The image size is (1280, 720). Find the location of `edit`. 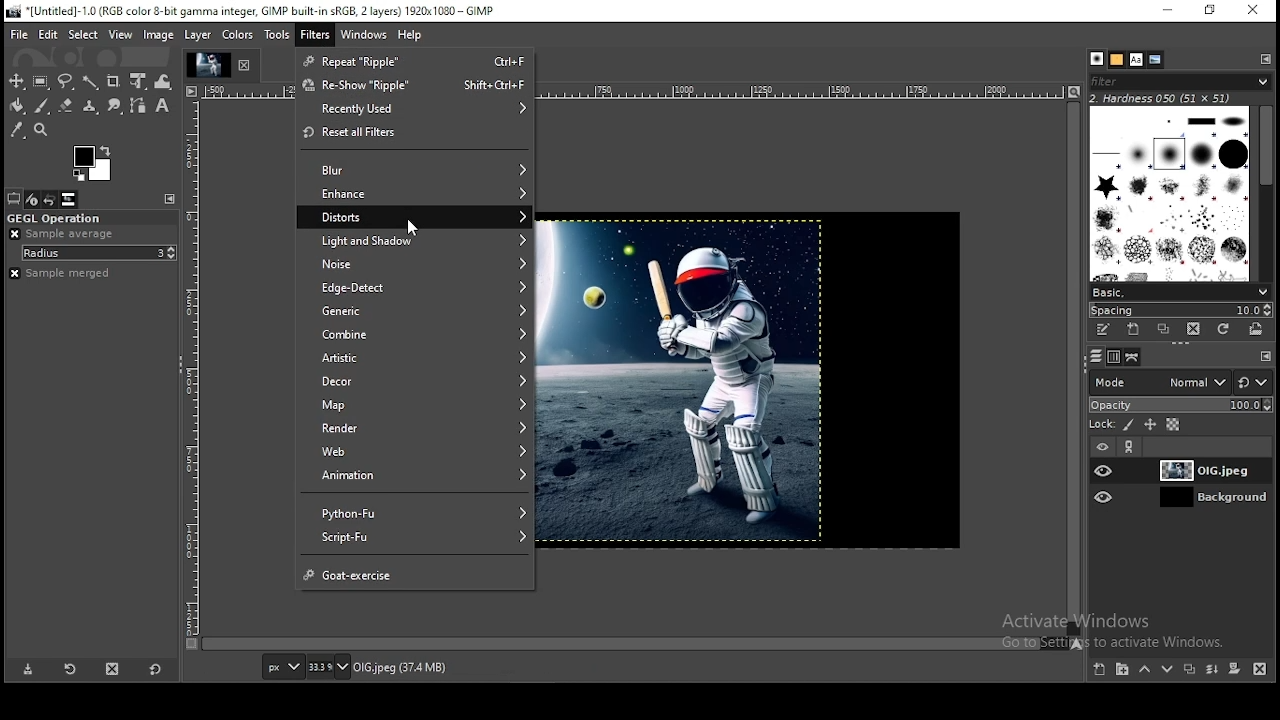

edit is located at coordinates (48, 34).